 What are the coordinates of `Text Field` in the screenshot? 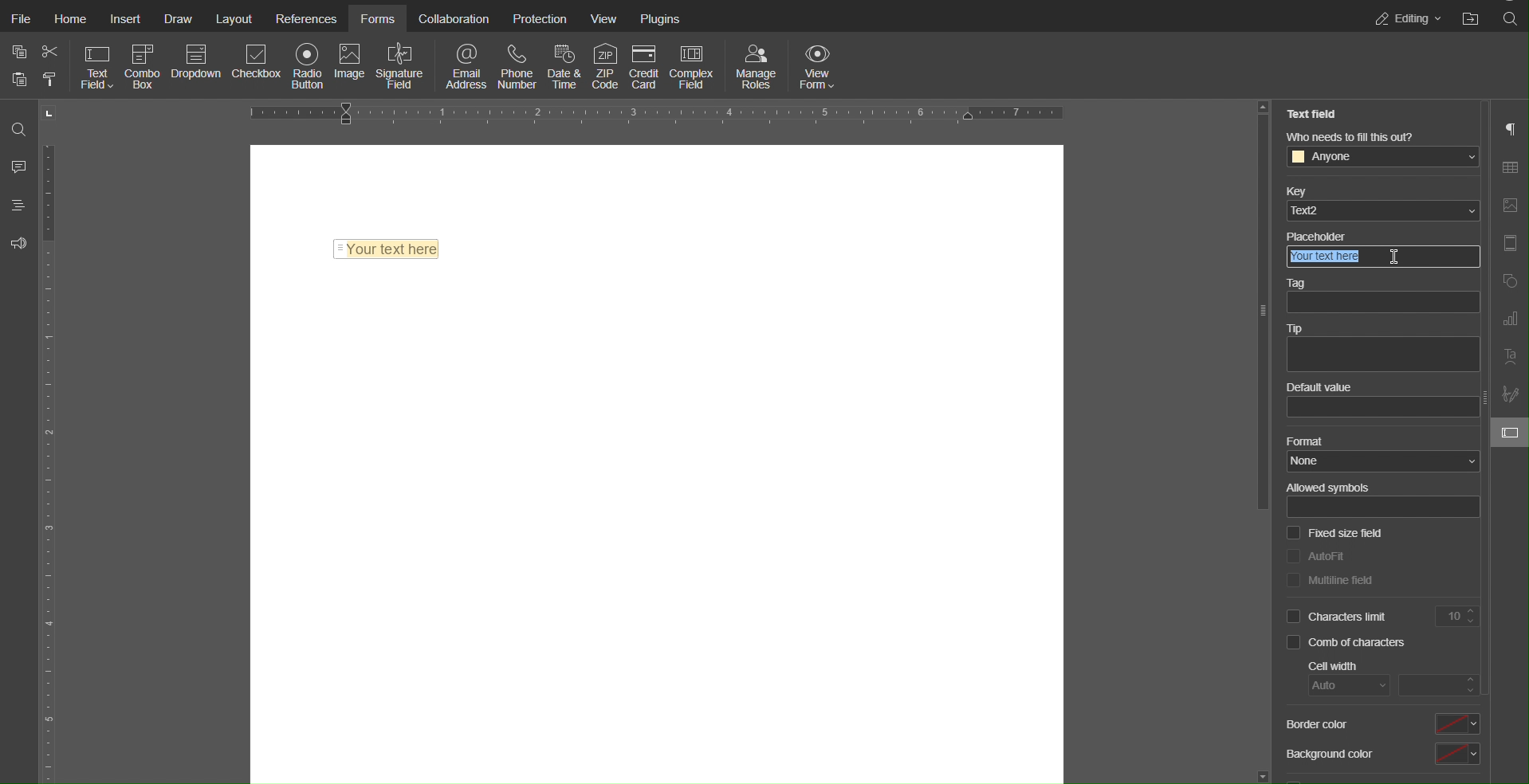 It's located at (389, 248).